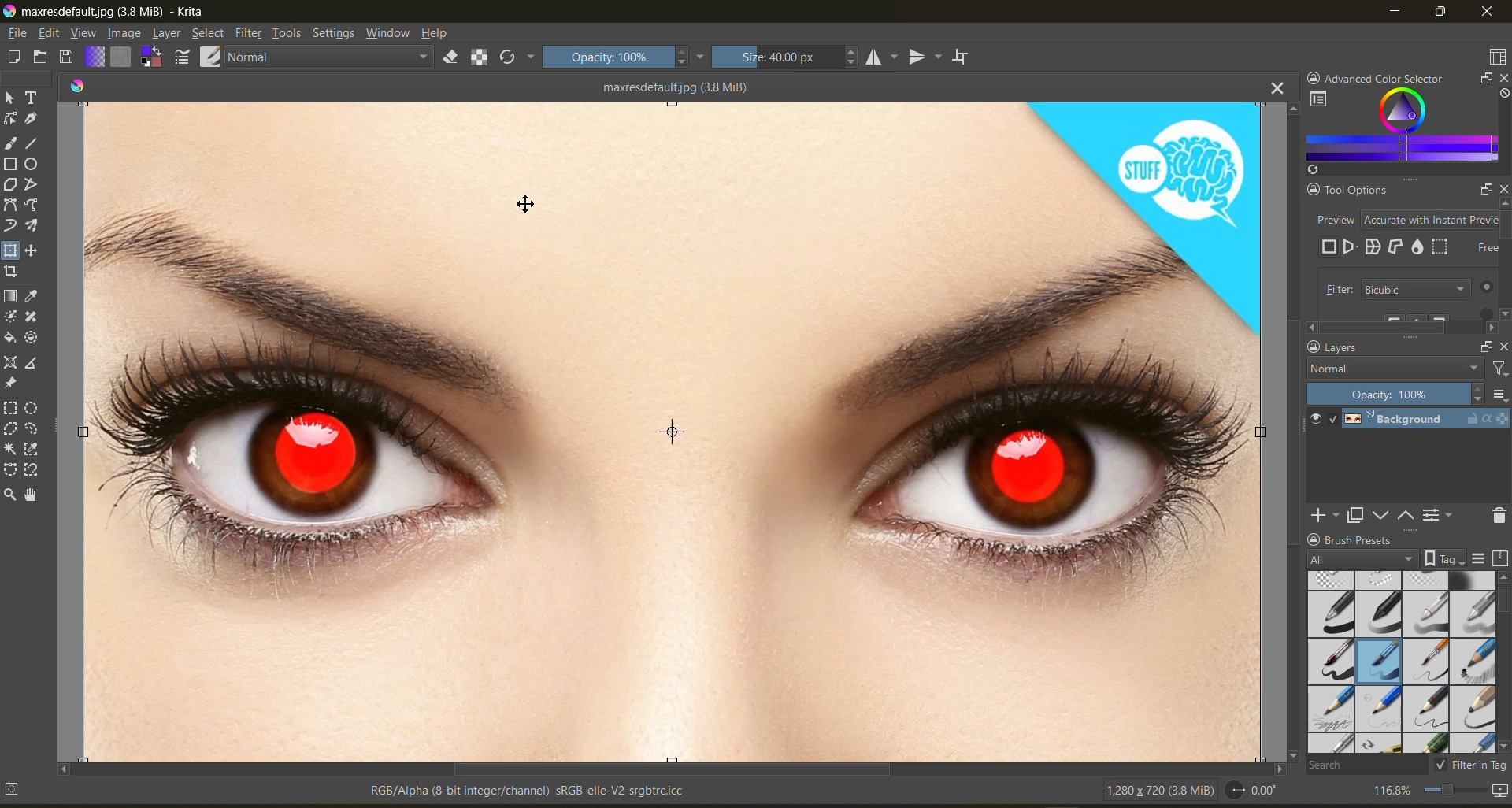 Image resolution: width=1512 pixels, height=808 pixels. What do you see at coordinates (924, 57) in the screenshot?
I see `vertical  mirror tool` at bounding box center [924, 57].